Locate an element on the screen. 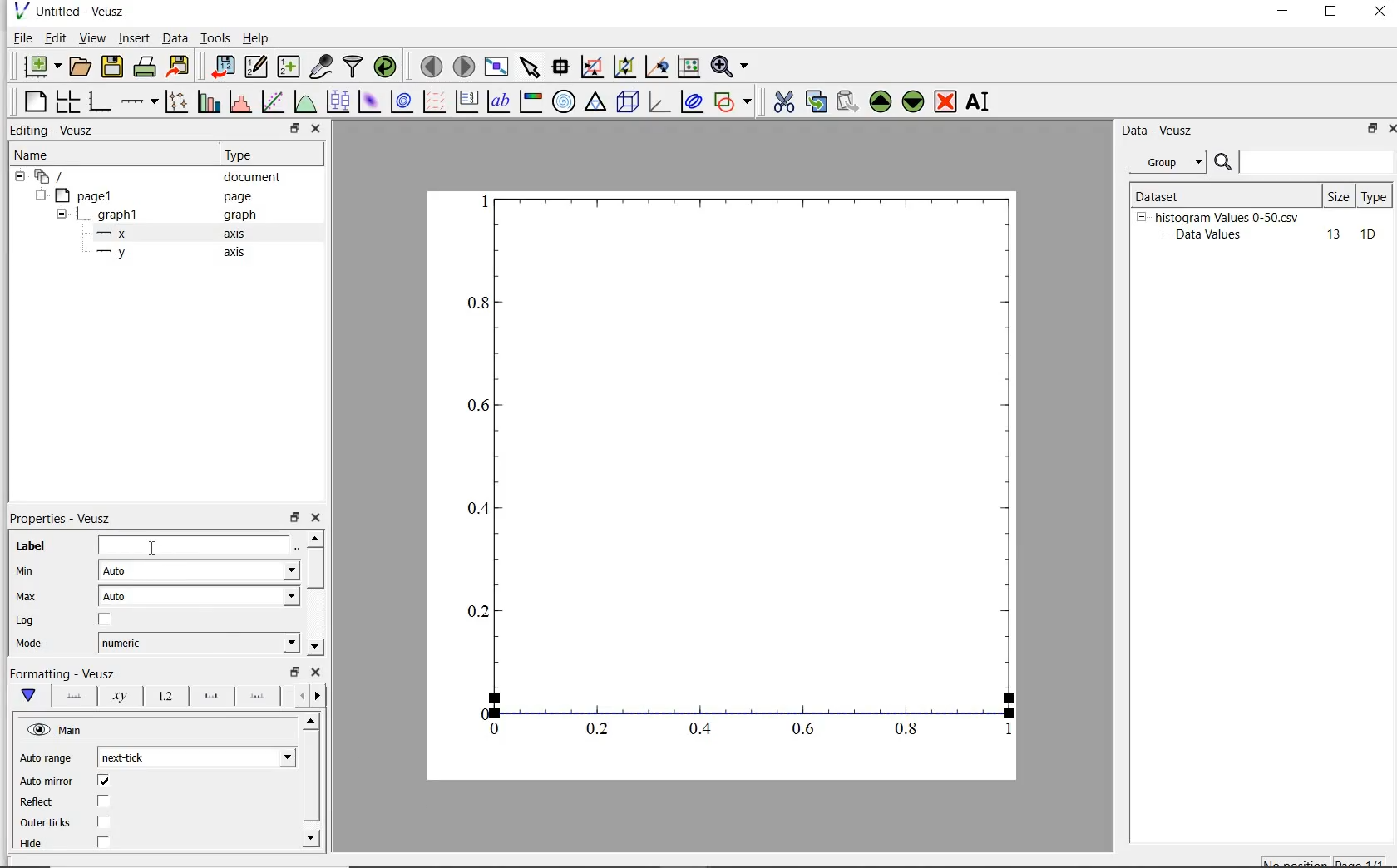 The image size is (1397, 868). filter data is located at coordinates (353, 67).